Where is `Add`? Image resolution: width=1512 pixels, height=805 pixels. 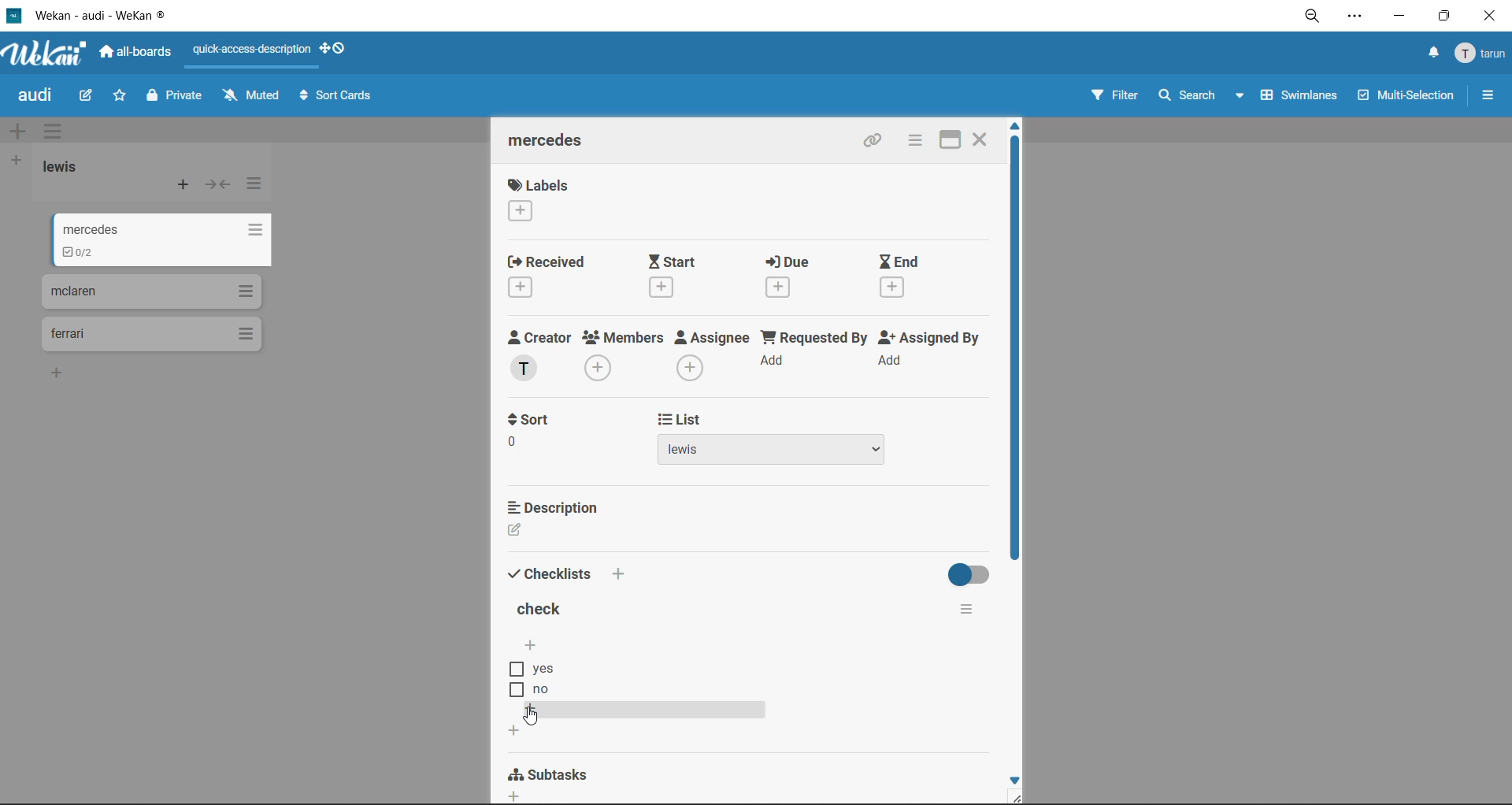
Add is located at coordinates (895, 359).